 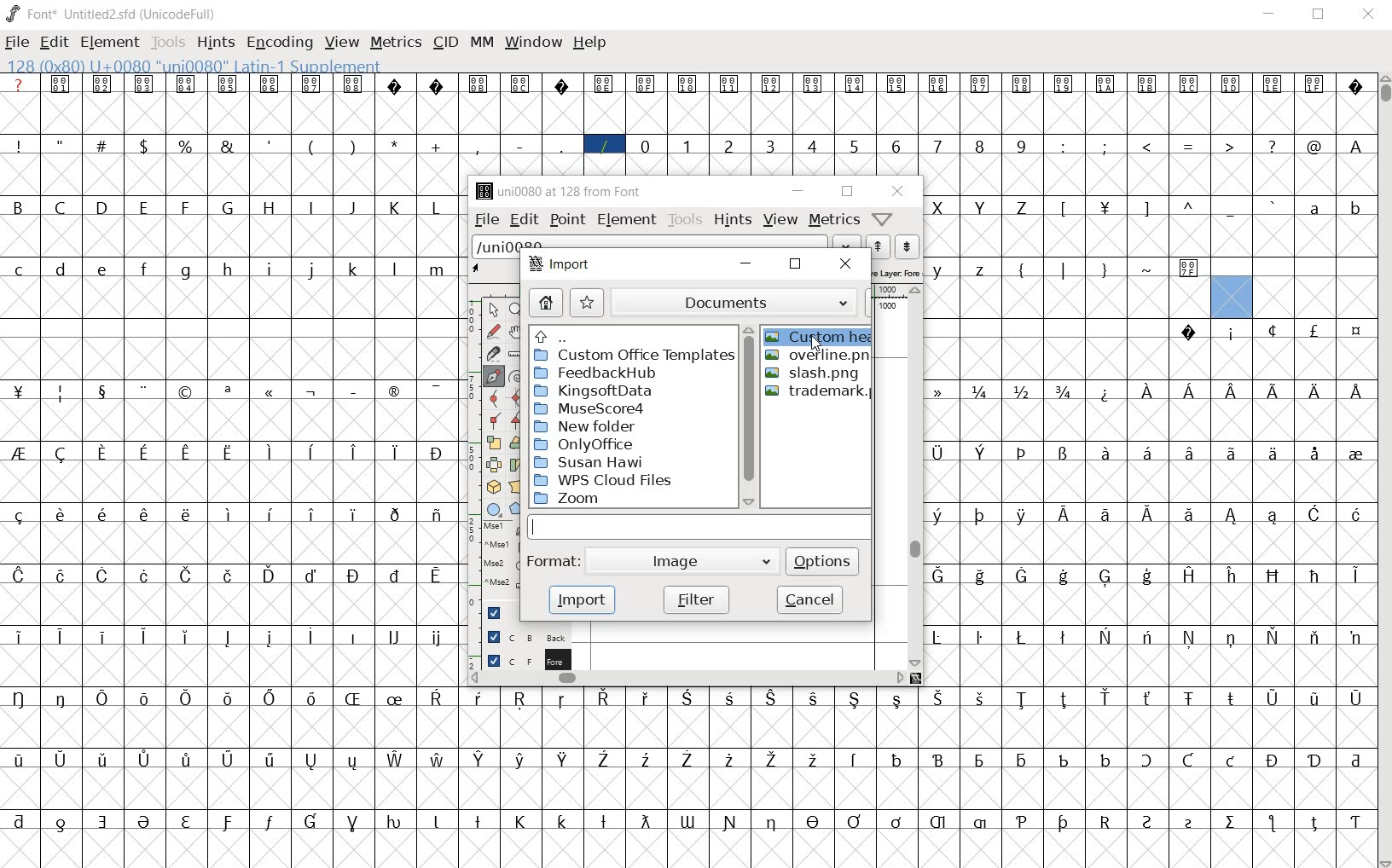 I want to click on glyph, so click(x=520, y=760).